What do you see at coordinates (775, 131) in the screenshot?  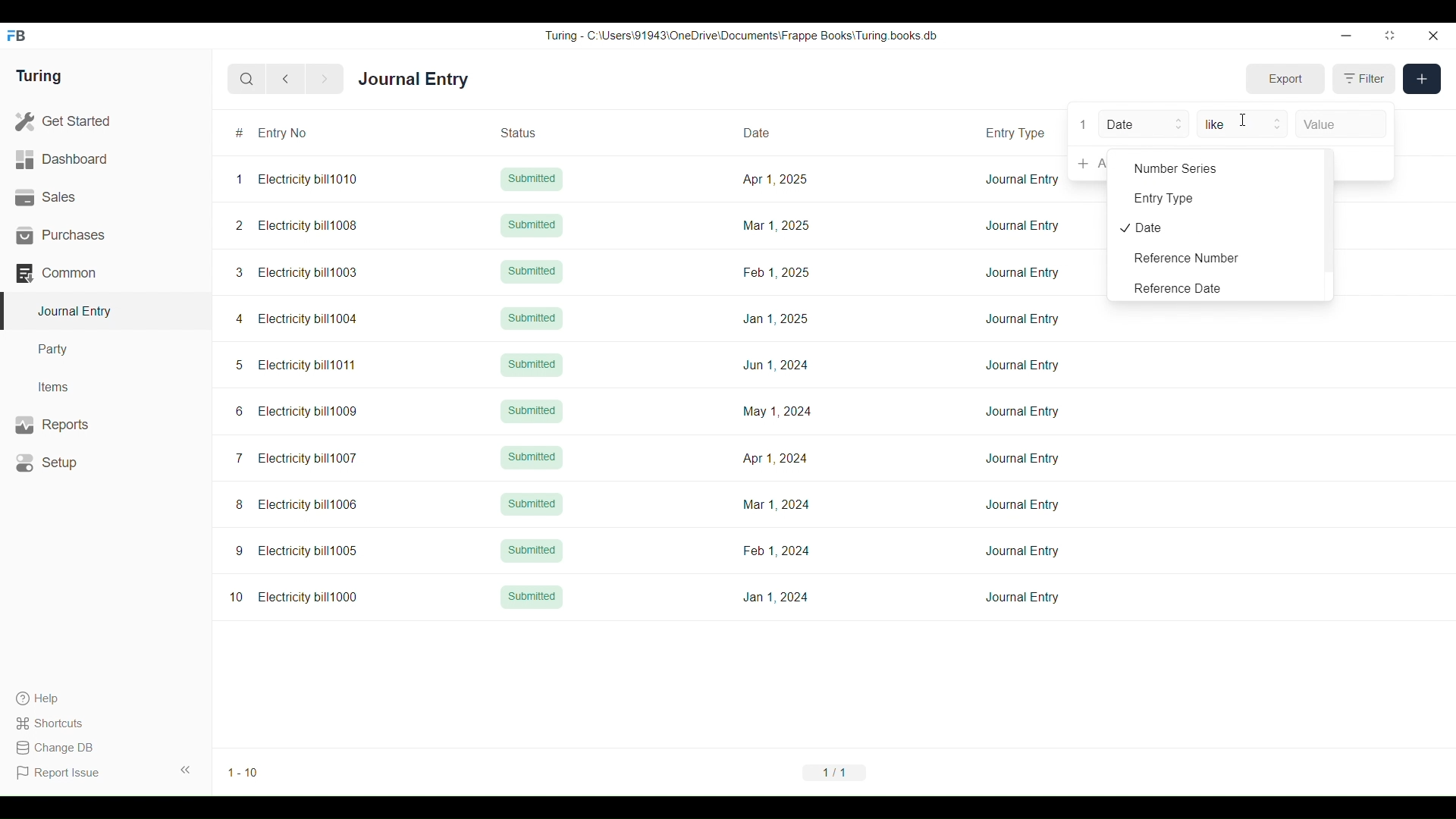 I see `Date` at bounding box center [775, 131].